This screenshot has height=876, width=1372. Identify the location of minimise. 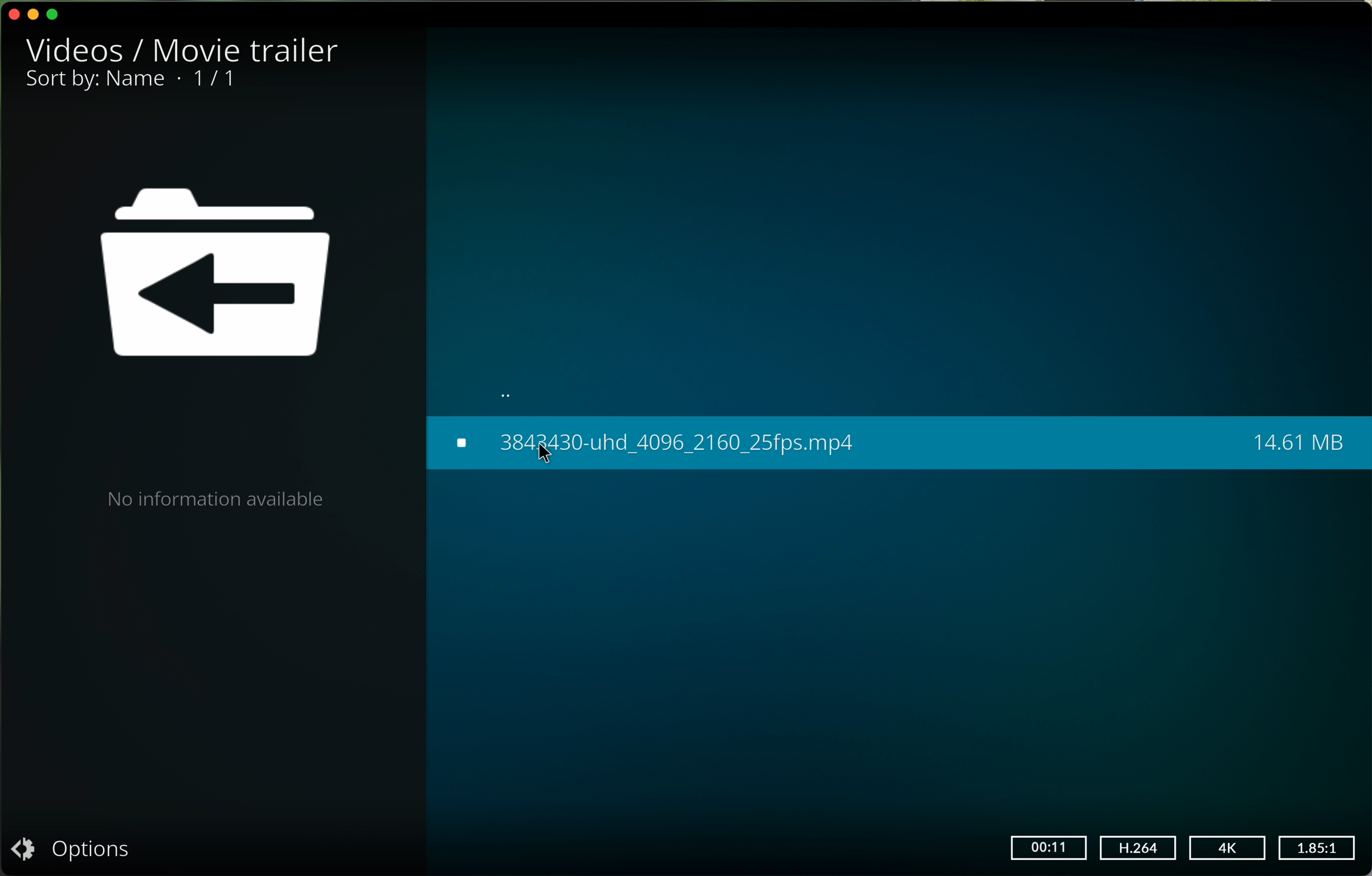
(35, 15).